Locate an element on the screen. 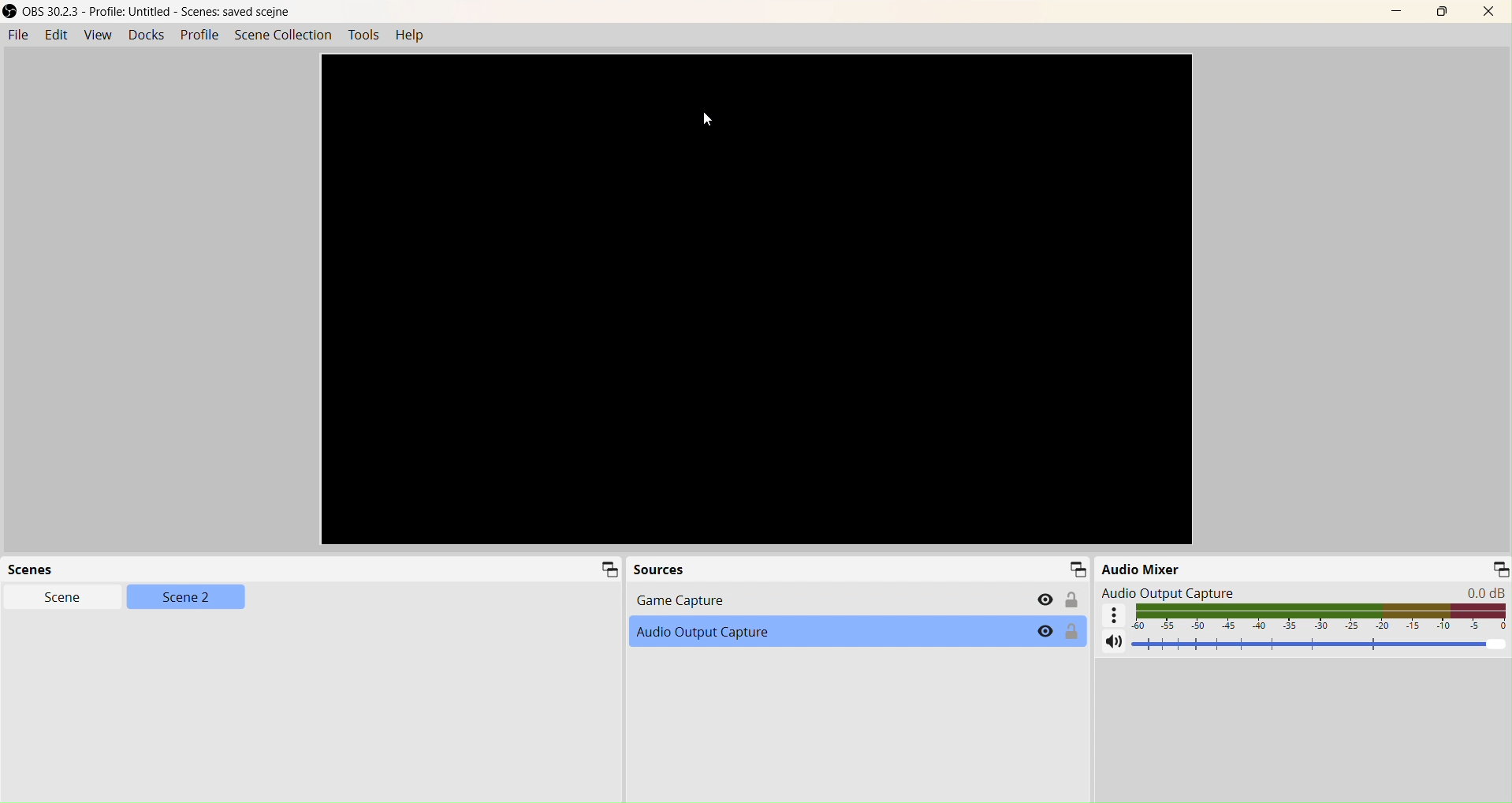 The image size is (1512, 803). Restore down is located at coordinates (1441, 12).